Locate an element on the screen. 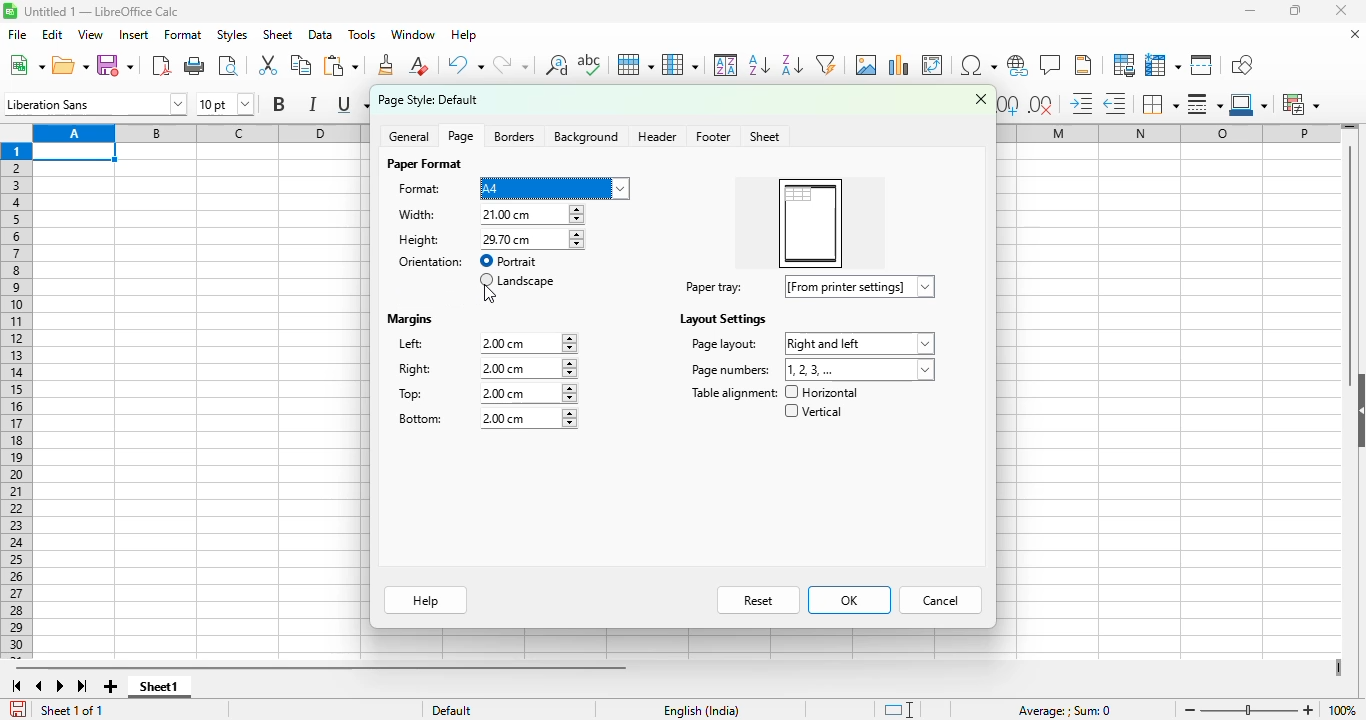 The height and width of the screenshot is (720, 1366). margins is located at coordinates (411, 320).